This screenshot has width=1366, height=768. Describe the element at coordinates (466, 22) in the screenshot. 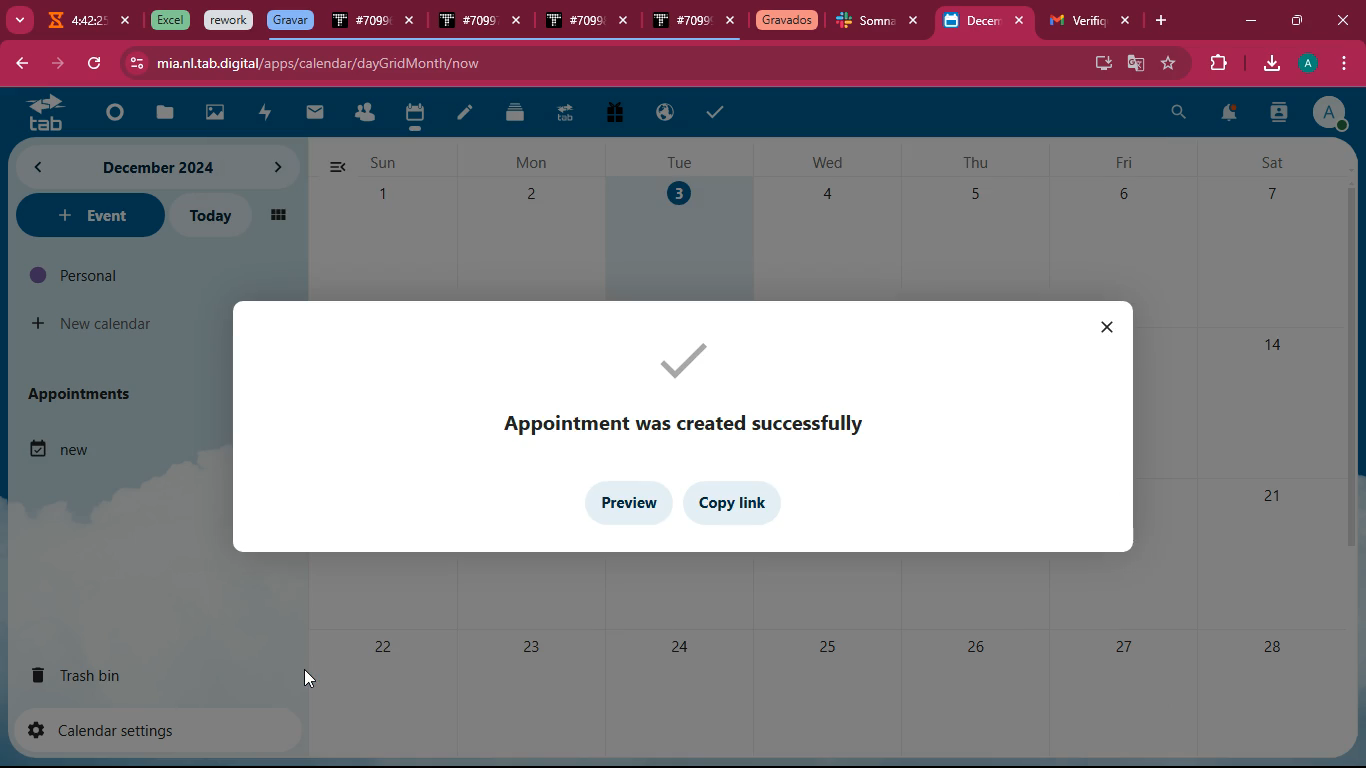

I see `tab` at that location.